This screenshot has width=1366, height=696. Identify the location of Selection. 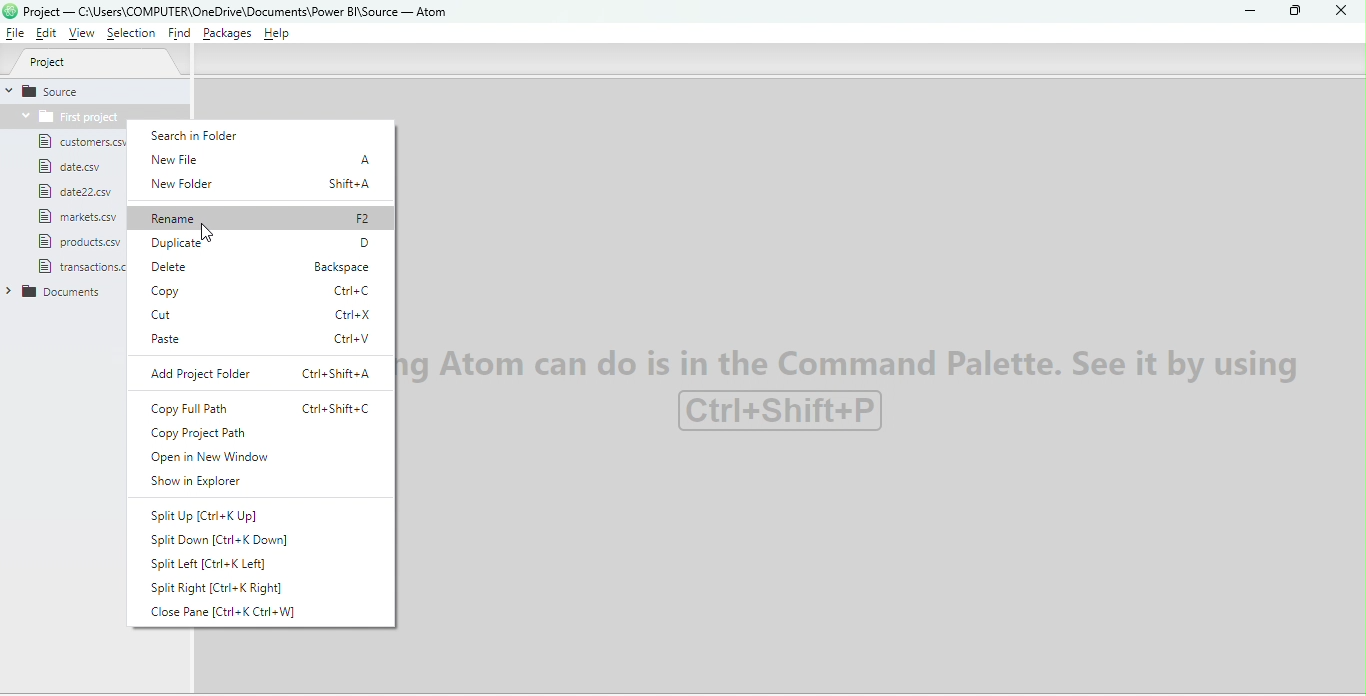
(134, 36).